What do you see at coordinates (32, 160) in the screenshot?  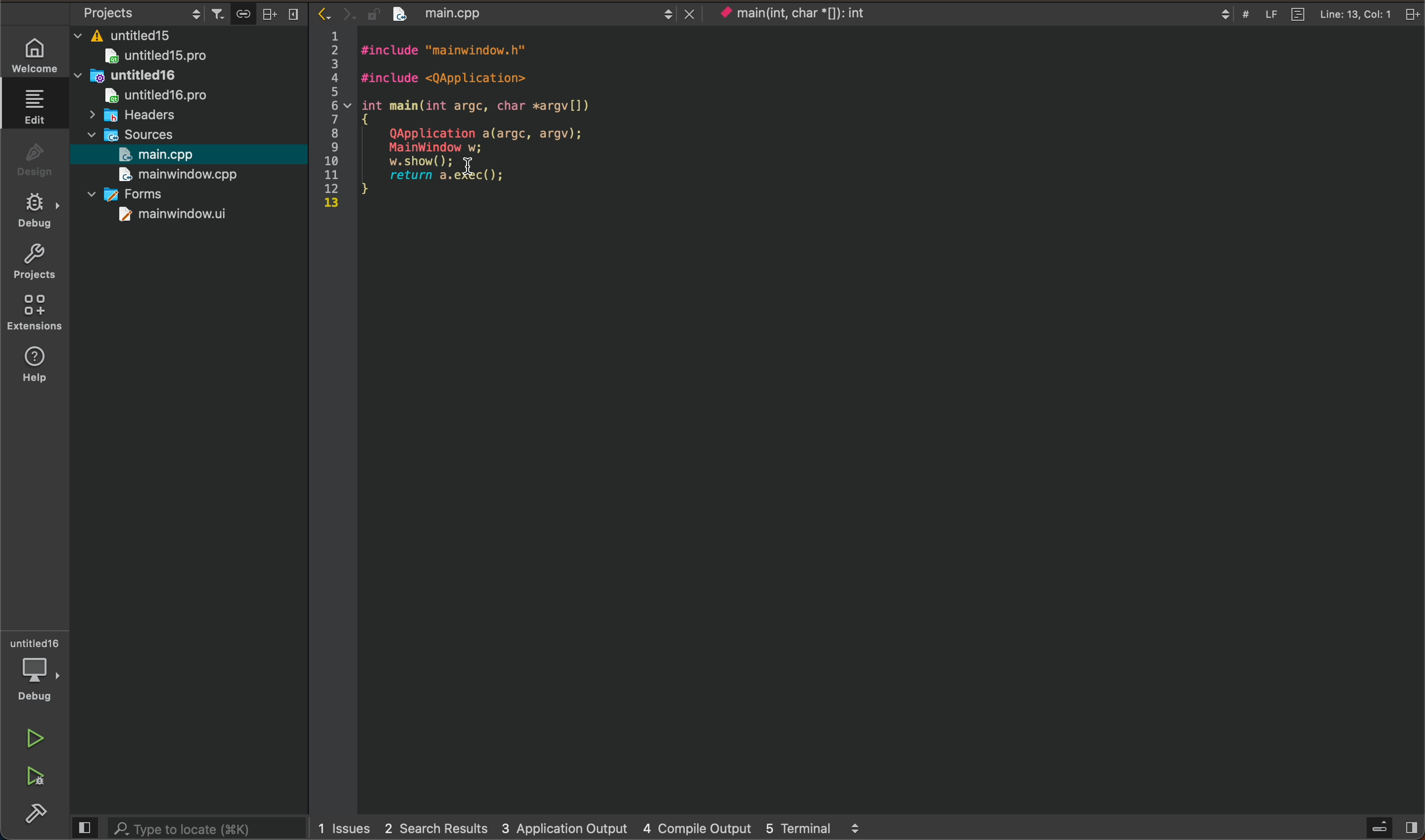 I see `design` at bounding box center [32, 160].